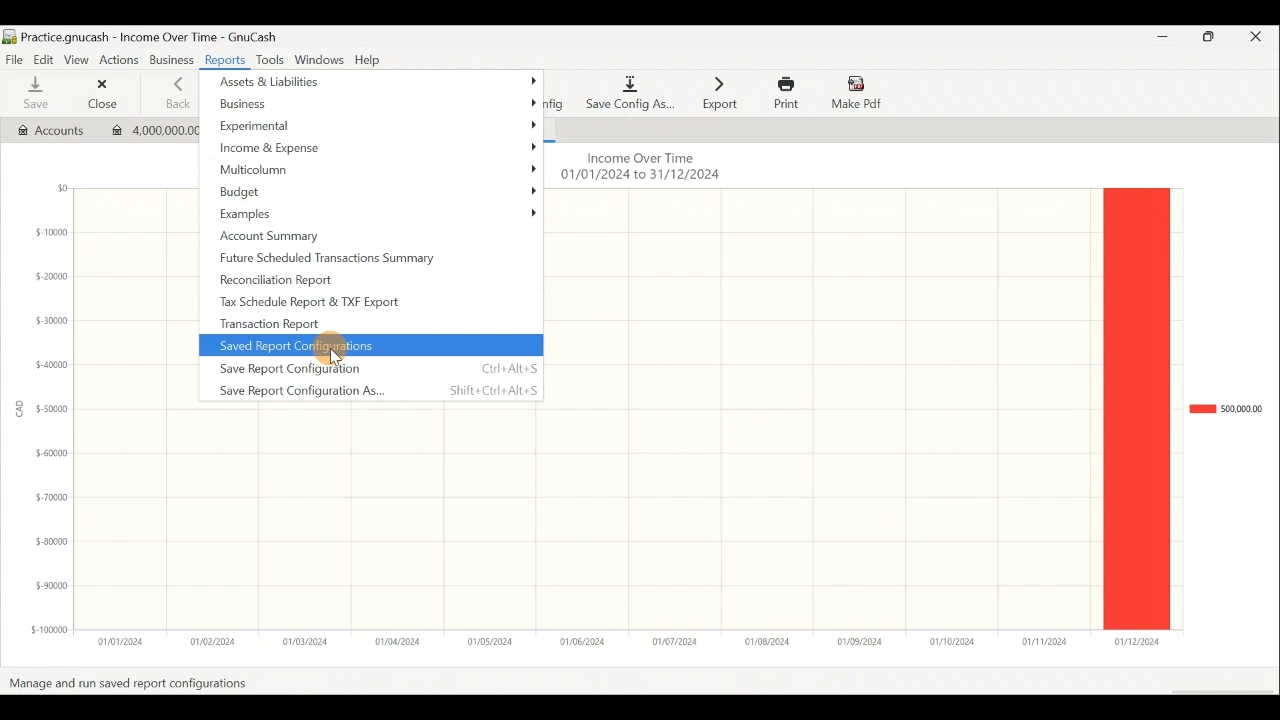 The width and height of the screenshot is (1280, 720). Describe the element at coordinates (1210, 40) in the screenshot. I see `Maximize` at that location.